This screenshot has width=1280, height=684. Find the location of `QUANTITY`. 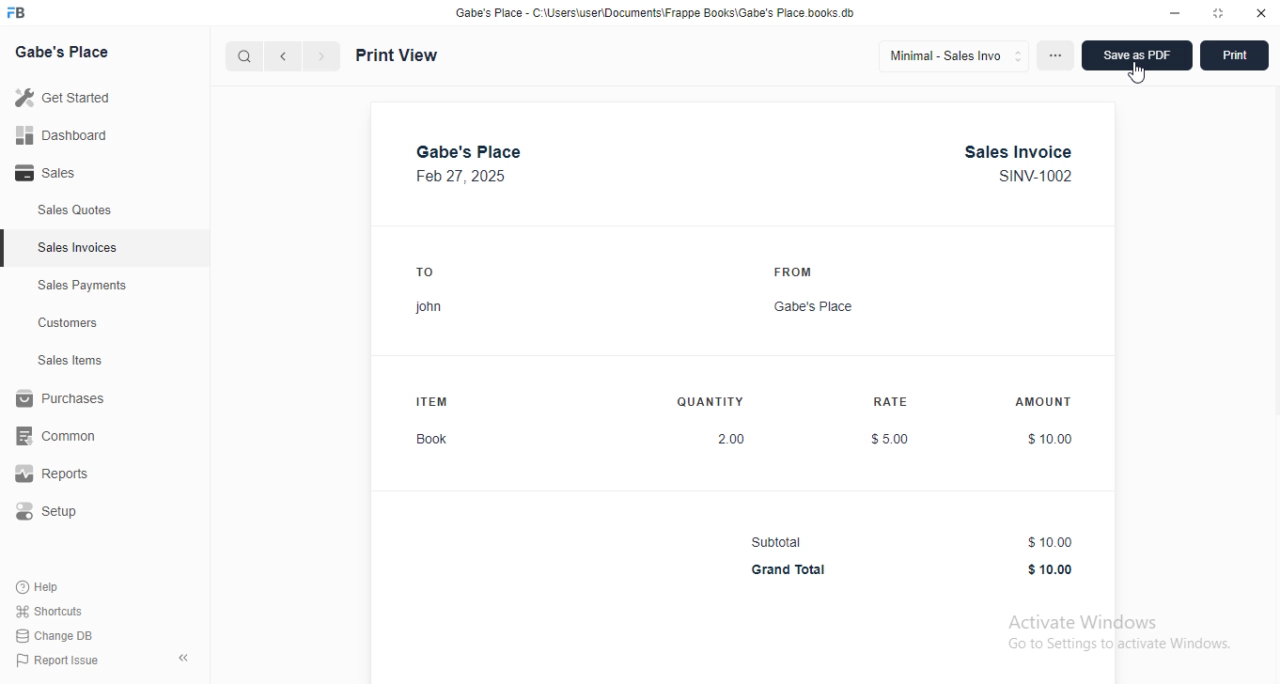

QUANTITY is located at coordinates (710, 402).